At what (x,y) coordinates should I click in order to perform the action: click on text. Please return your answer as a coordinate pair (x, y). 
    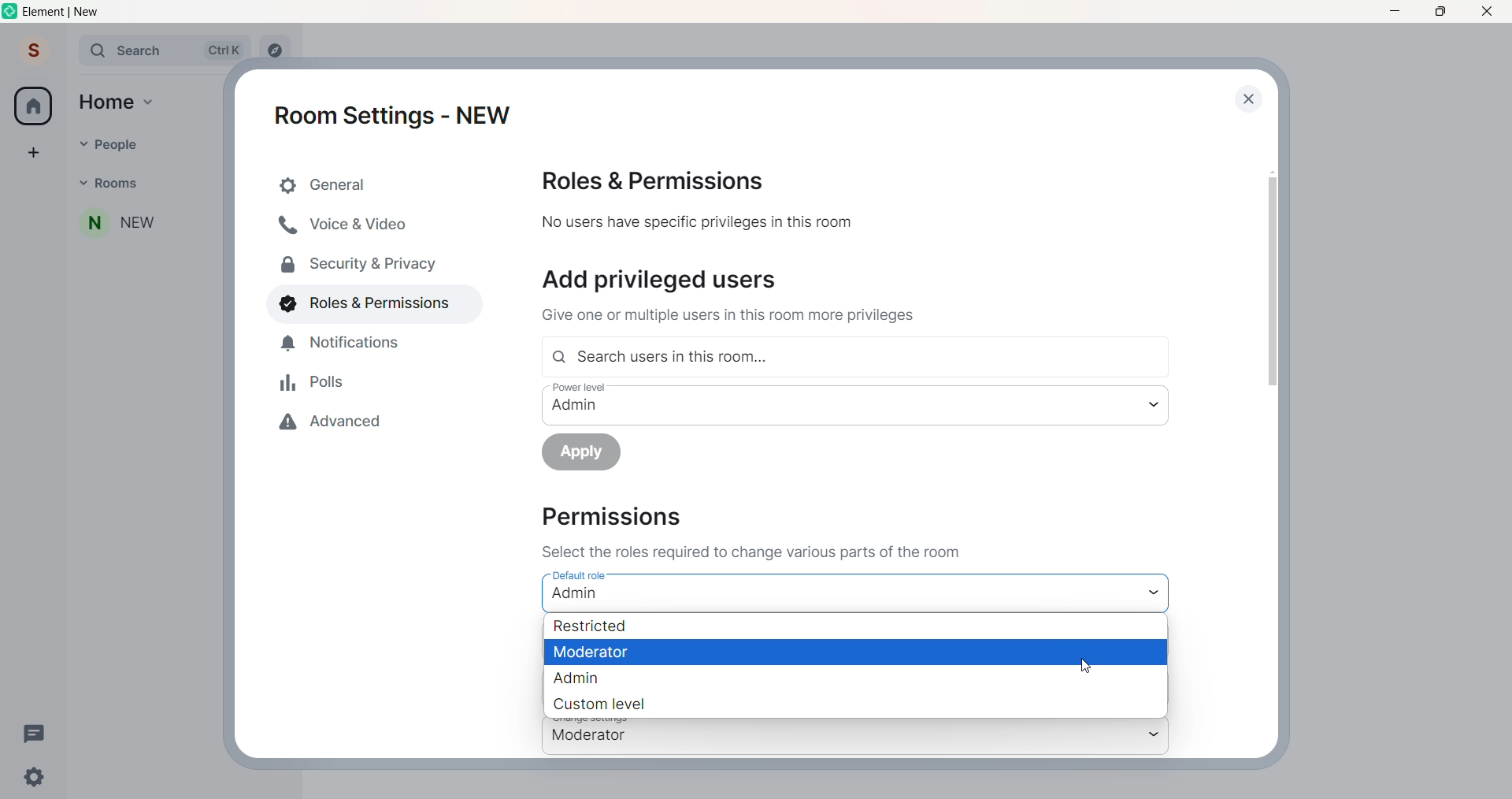
    Looking at the image, I should click on (698, 223).